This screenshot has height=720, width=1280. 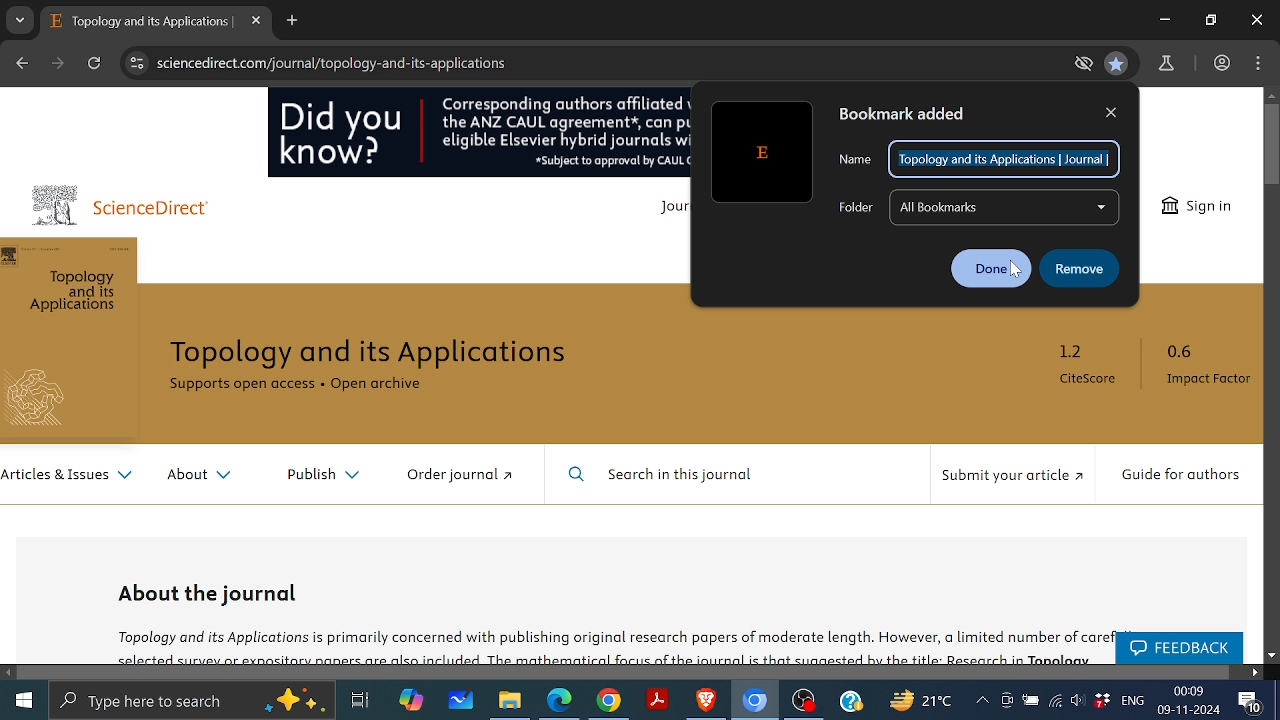 I want to click on Help, so click(x=851, y=700).